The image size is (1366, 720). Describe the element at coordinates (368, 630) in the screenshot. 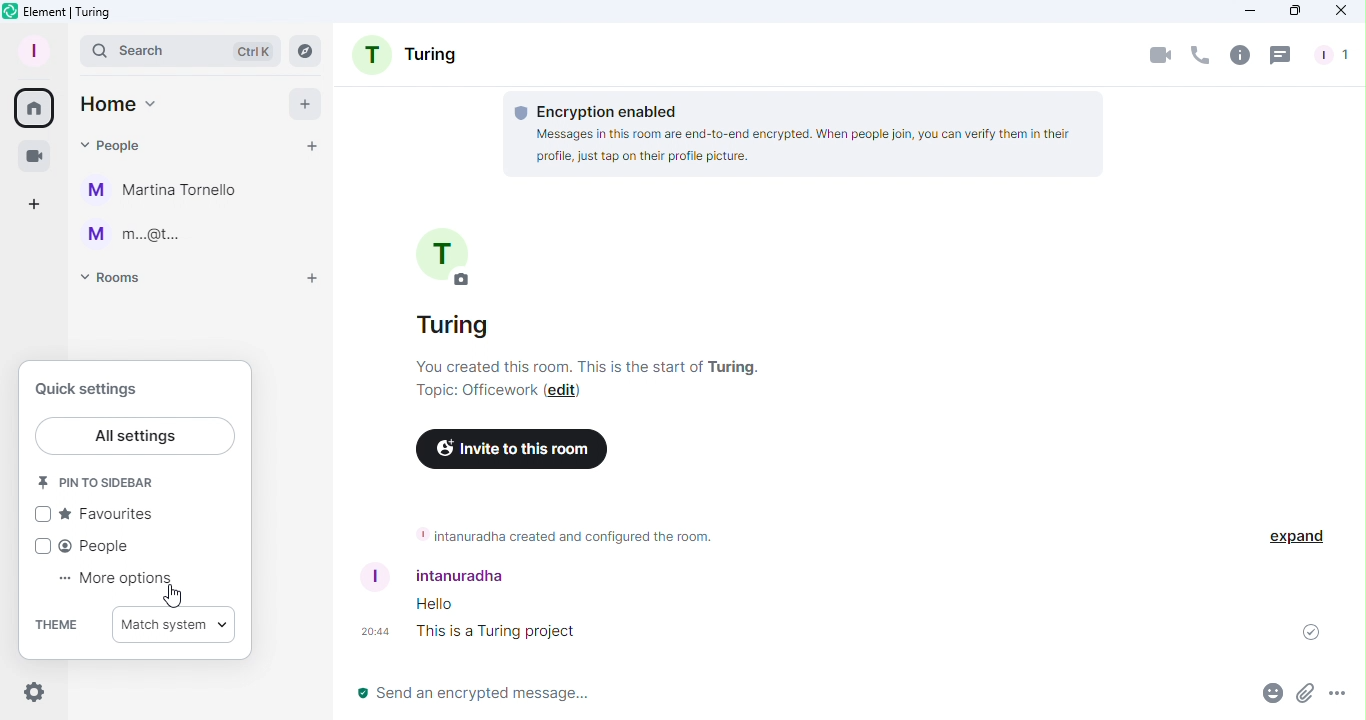

I see `20:44` at that location.